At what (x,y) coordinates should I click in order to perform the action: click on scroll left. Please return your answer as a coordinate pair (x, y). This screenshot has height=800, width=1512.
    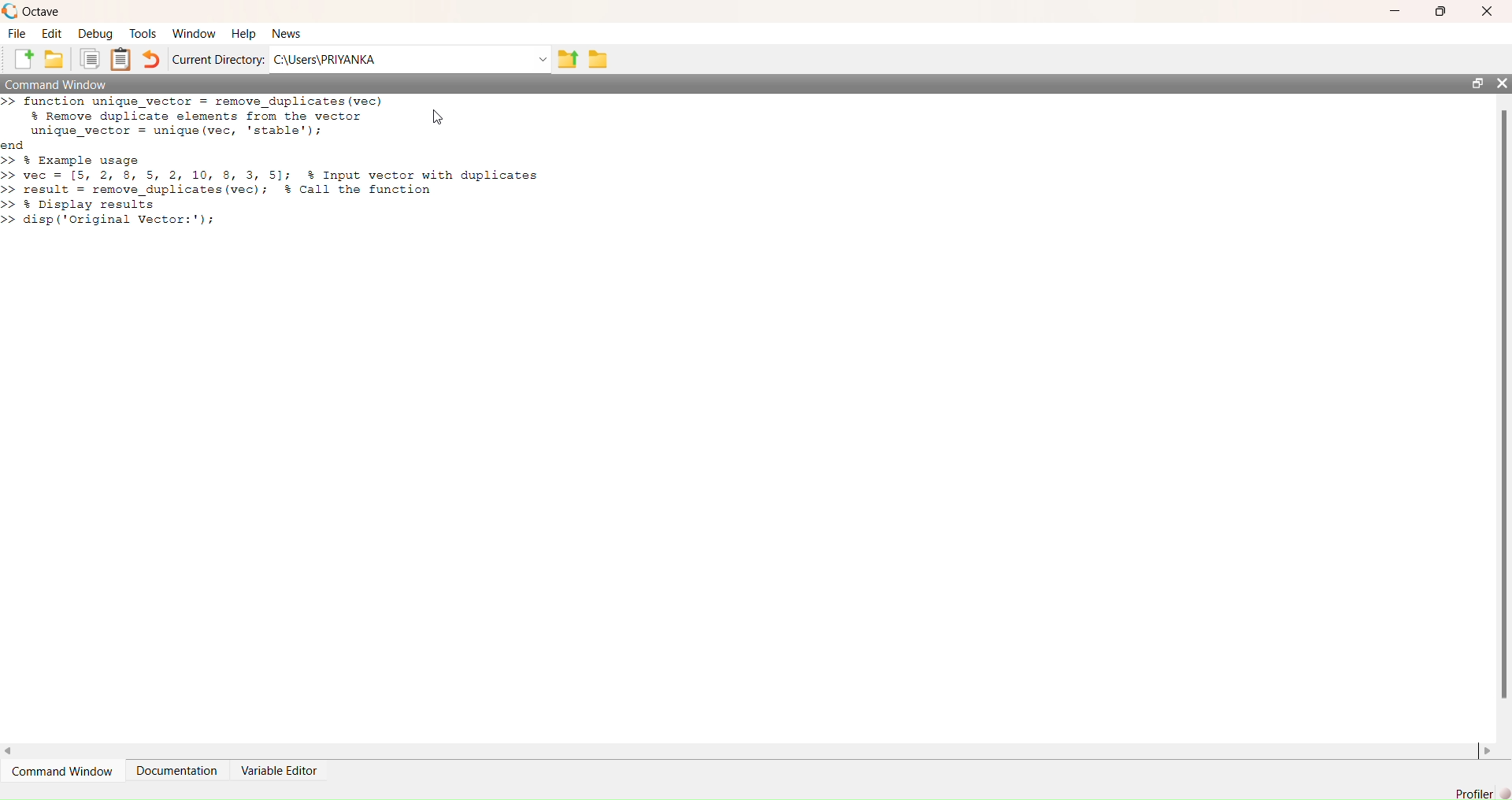
    Looking at the image, I should click on (9, 753).